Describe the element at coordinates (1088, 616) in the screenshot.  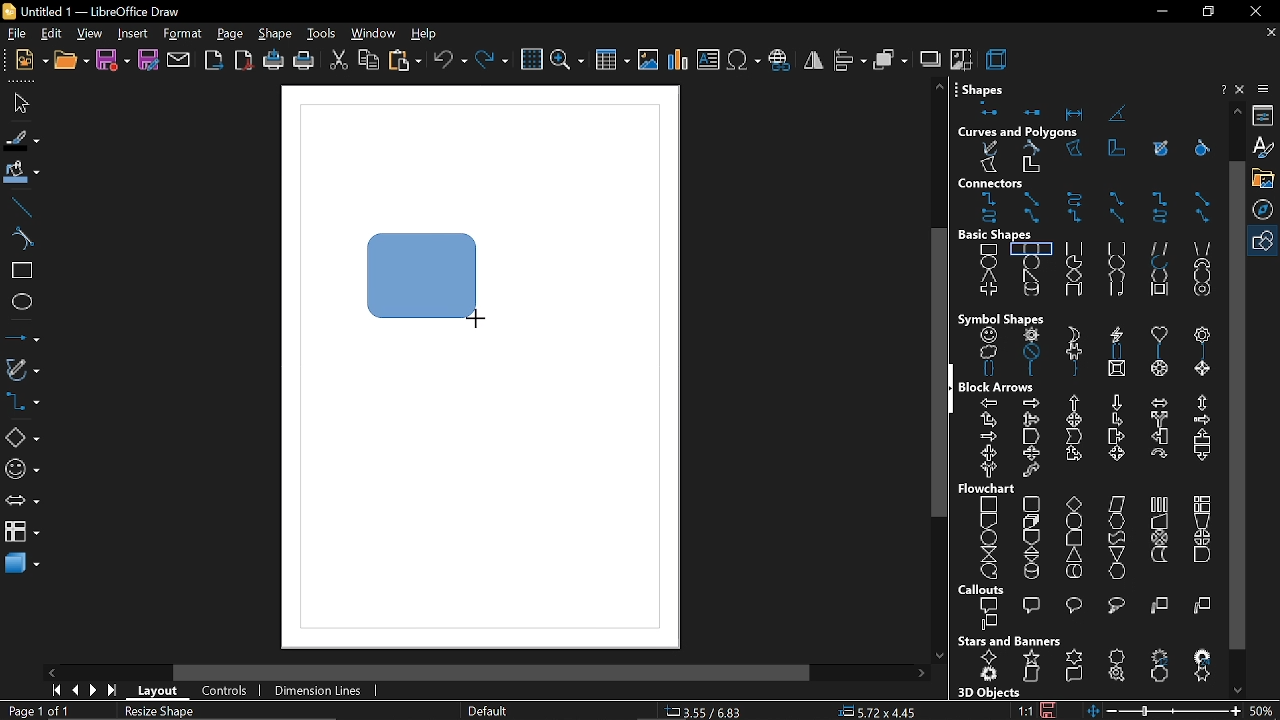
I see `callout` at that location.